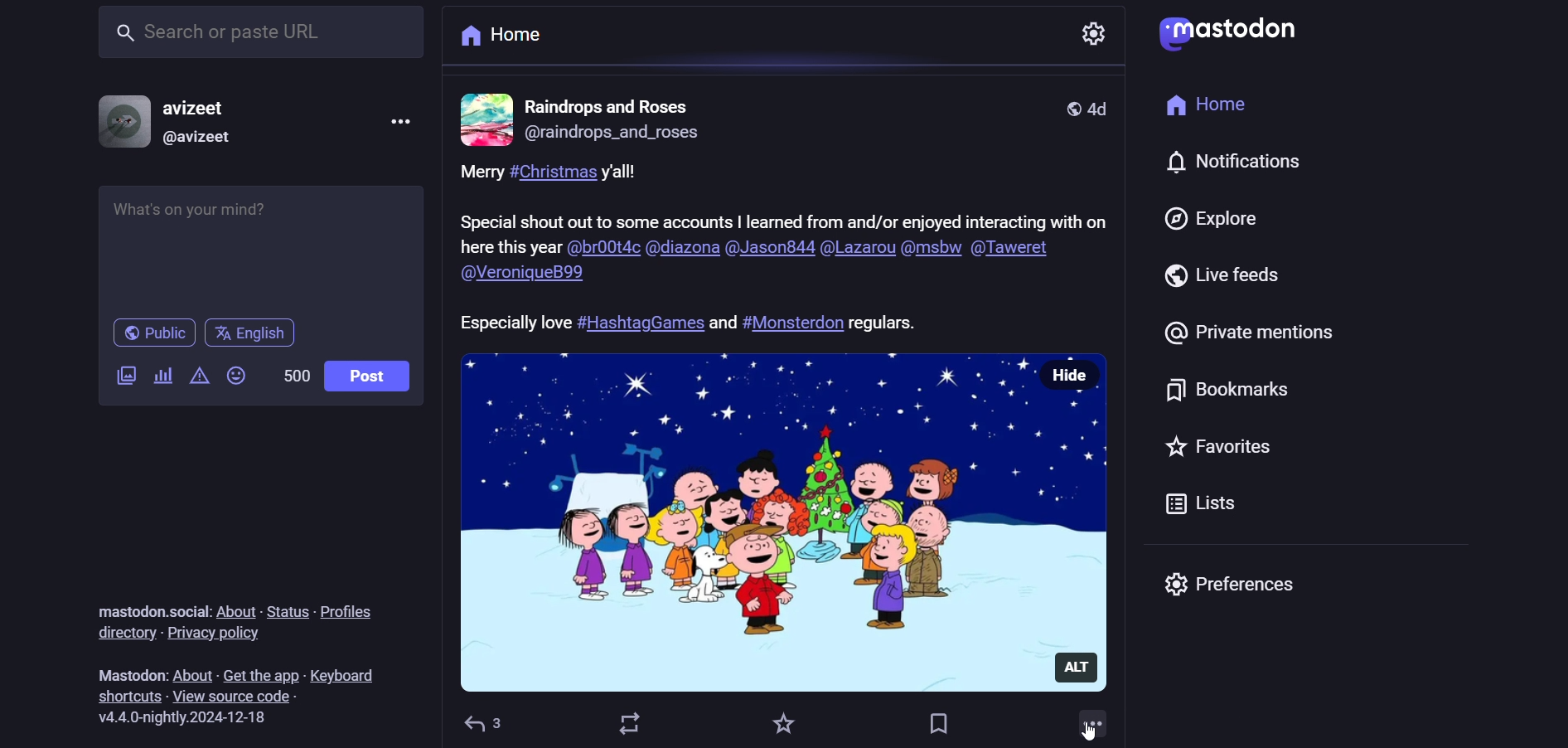 This screenshot has width=1568, height=748. What do you see at coordinates (1240, 331) in the screenshot?
I see `private mentions` at bounding box center [1240, 331].